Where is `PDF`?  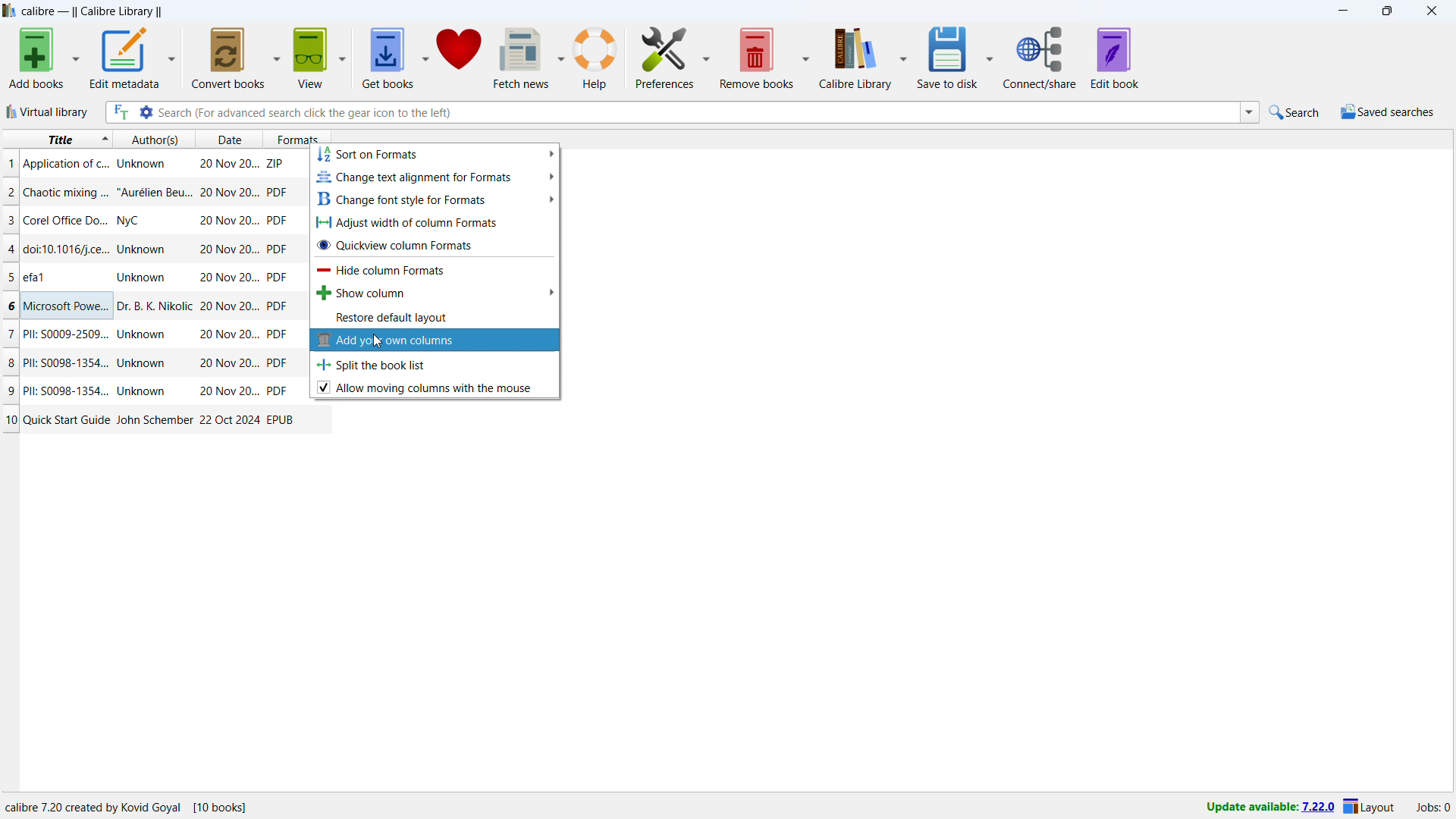 PDF is located at coordinates (280, 334).